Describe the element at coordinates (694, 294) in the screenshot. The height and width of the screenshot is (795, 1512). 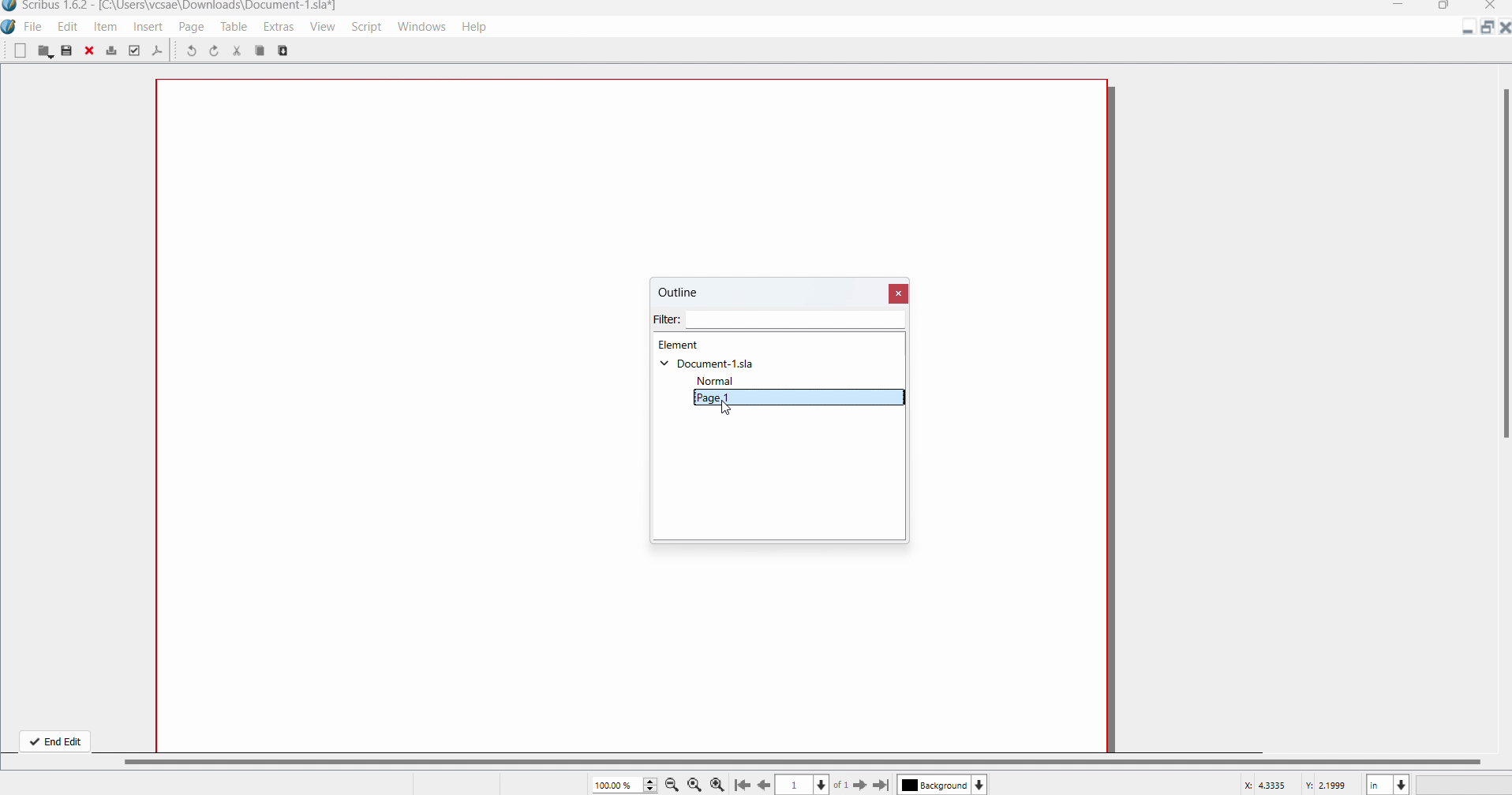
I see `Outline` at that location.